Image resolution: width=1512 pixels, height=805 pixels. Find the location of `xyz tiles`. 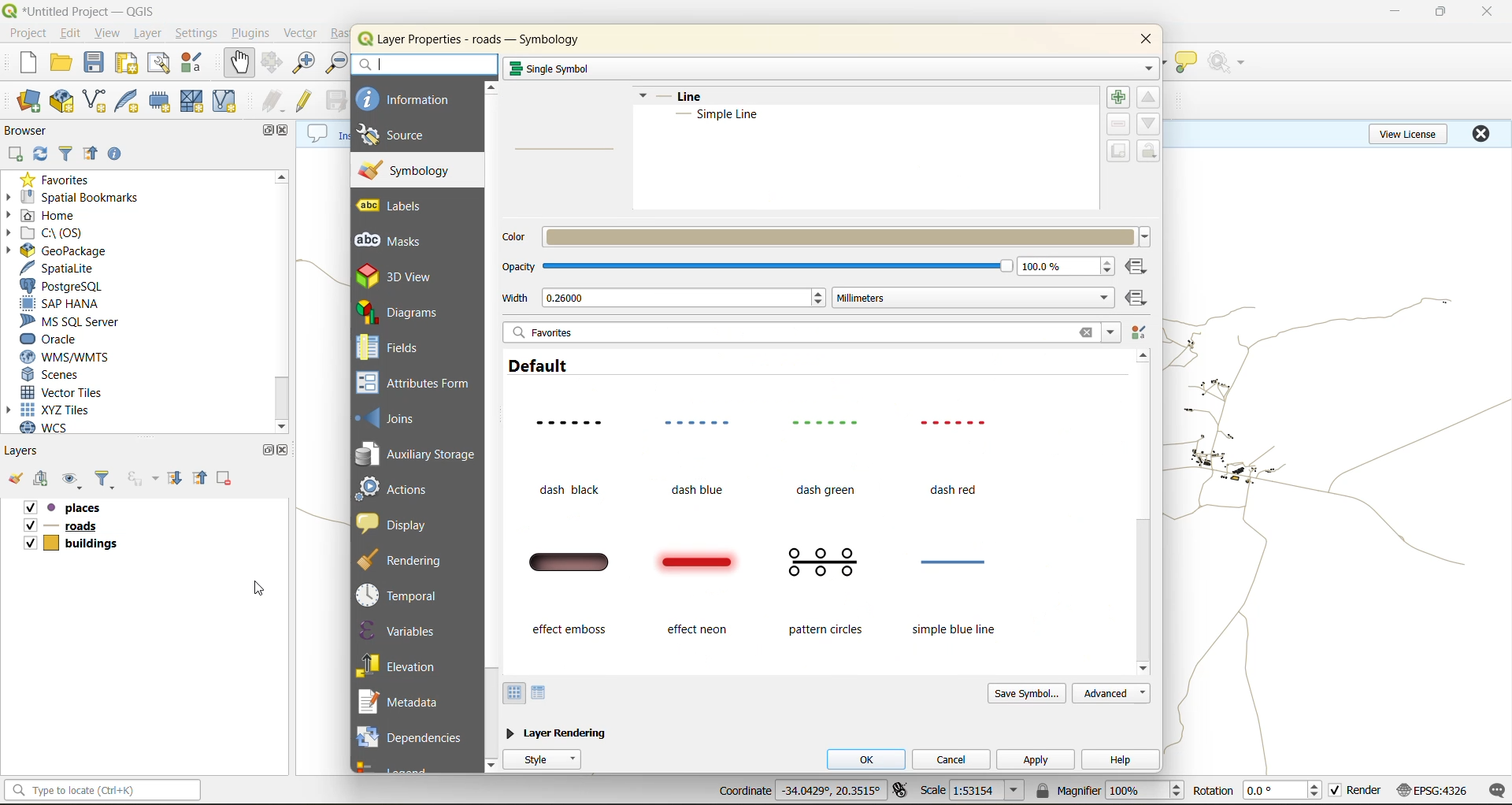

xyz tiles is located at coordinates (64, 410).